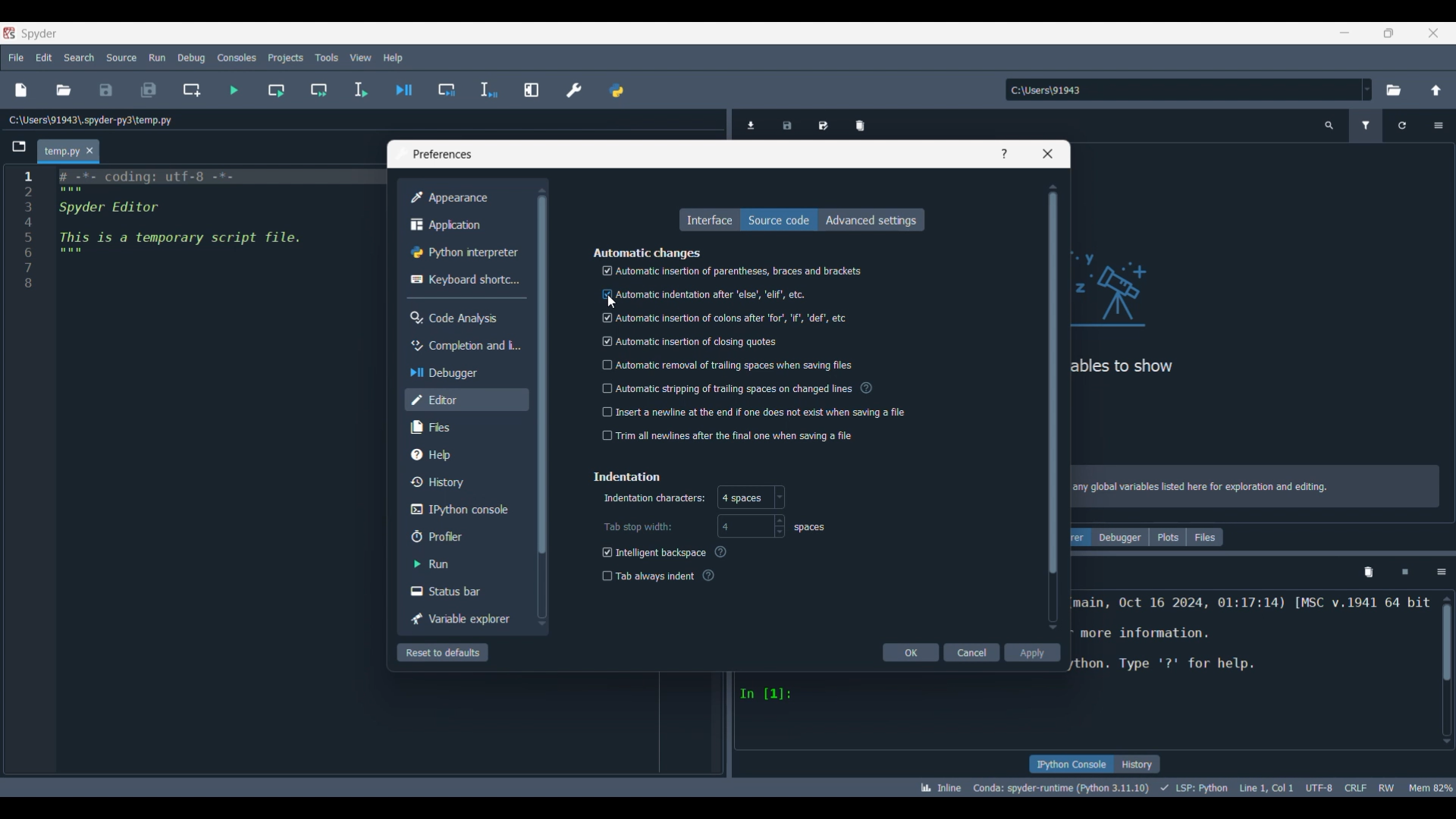 Image resolution: width=1456 pixels, height=819 pixels. Describe the element at coordinates (1345, 33) in the screenshot. I see `Minimize` at that location.